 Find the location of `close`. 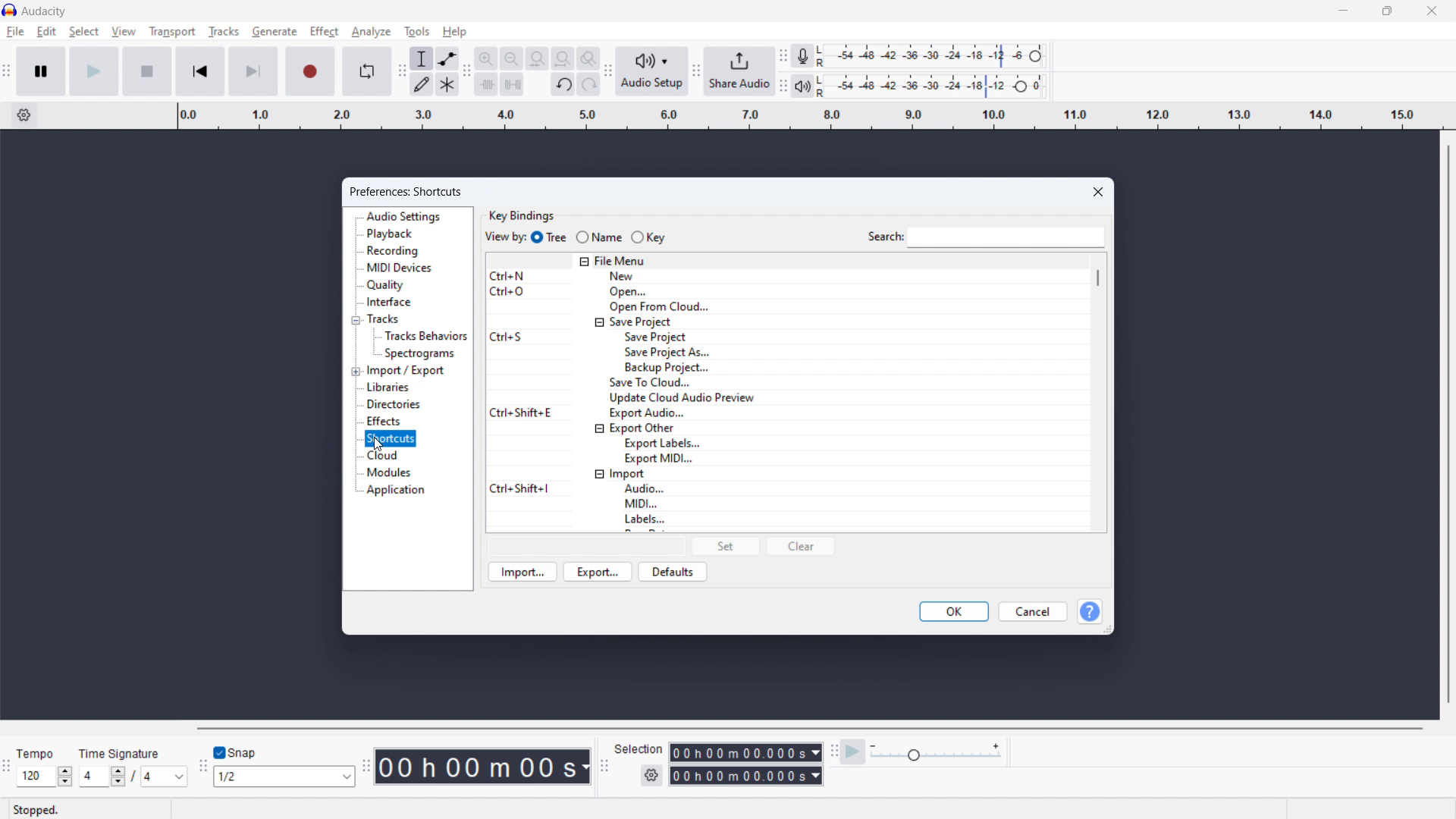

close is located at coordinates (1430, 11).